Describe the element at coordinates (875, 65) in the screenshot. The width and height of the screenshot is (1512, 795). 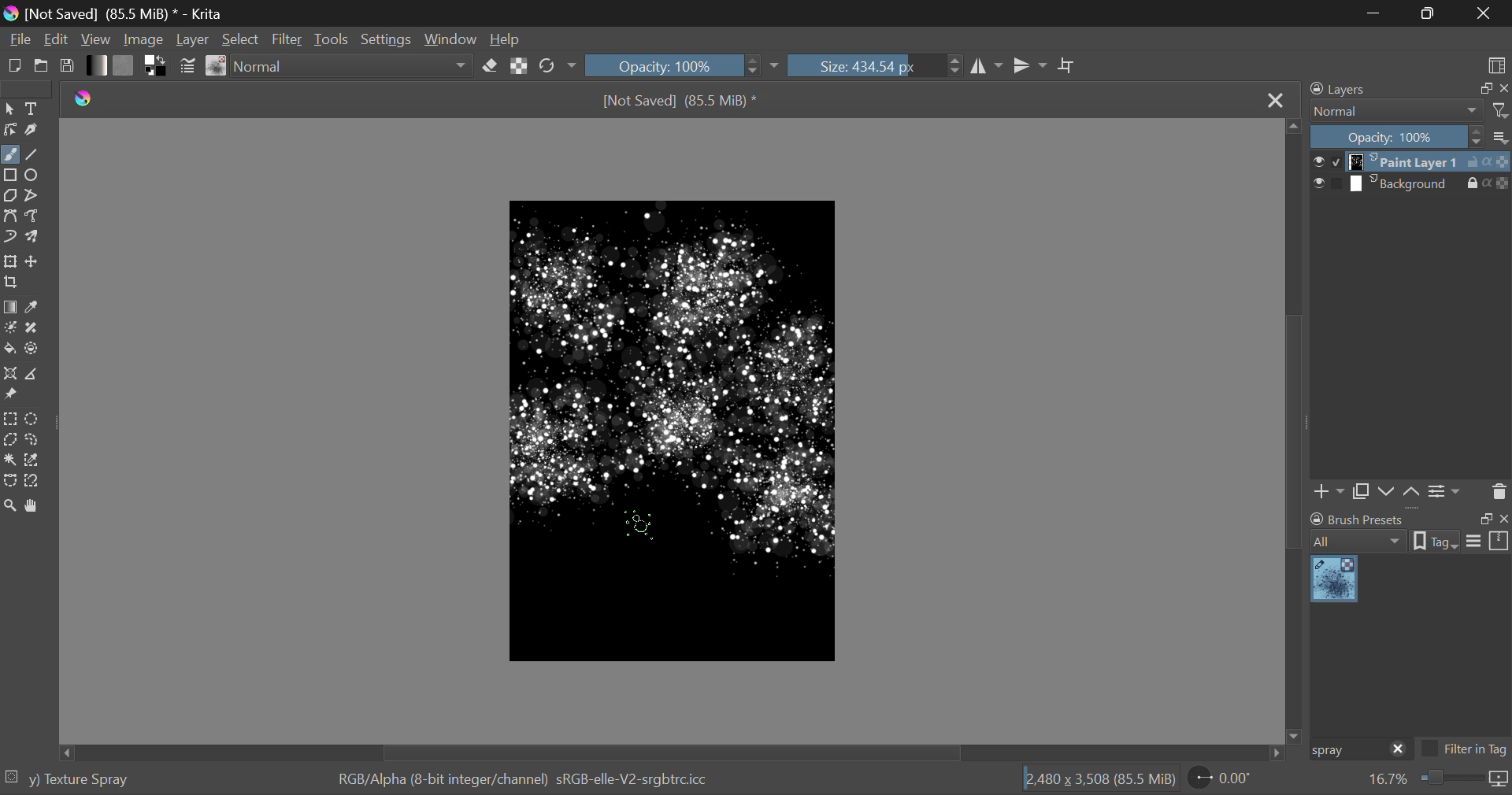
I see `Brush Size` at that location.